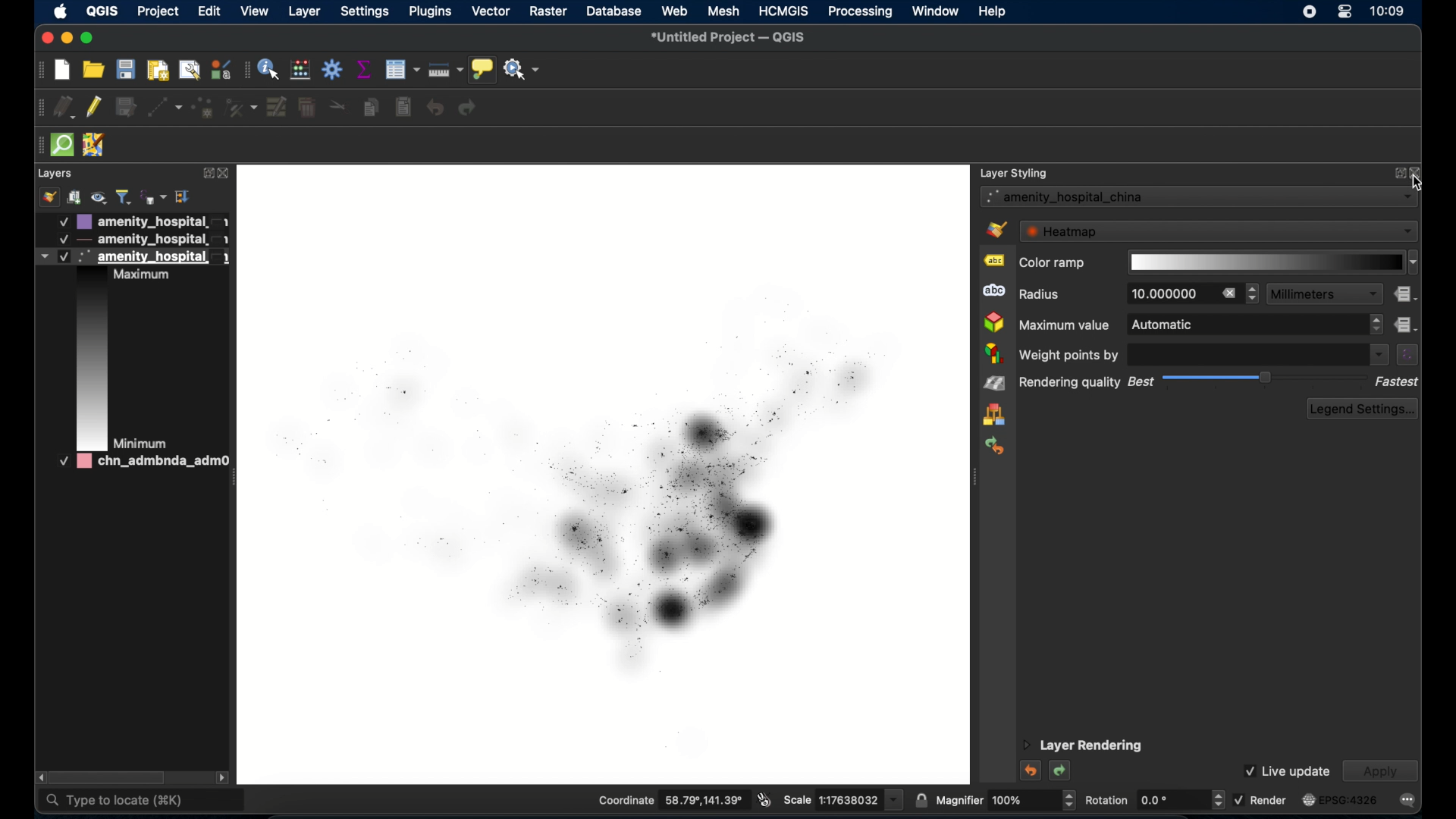  What do you see at coordinates (300, 69) in the screenshot?
I see `open field calculator` at bounding box center [300, 69].